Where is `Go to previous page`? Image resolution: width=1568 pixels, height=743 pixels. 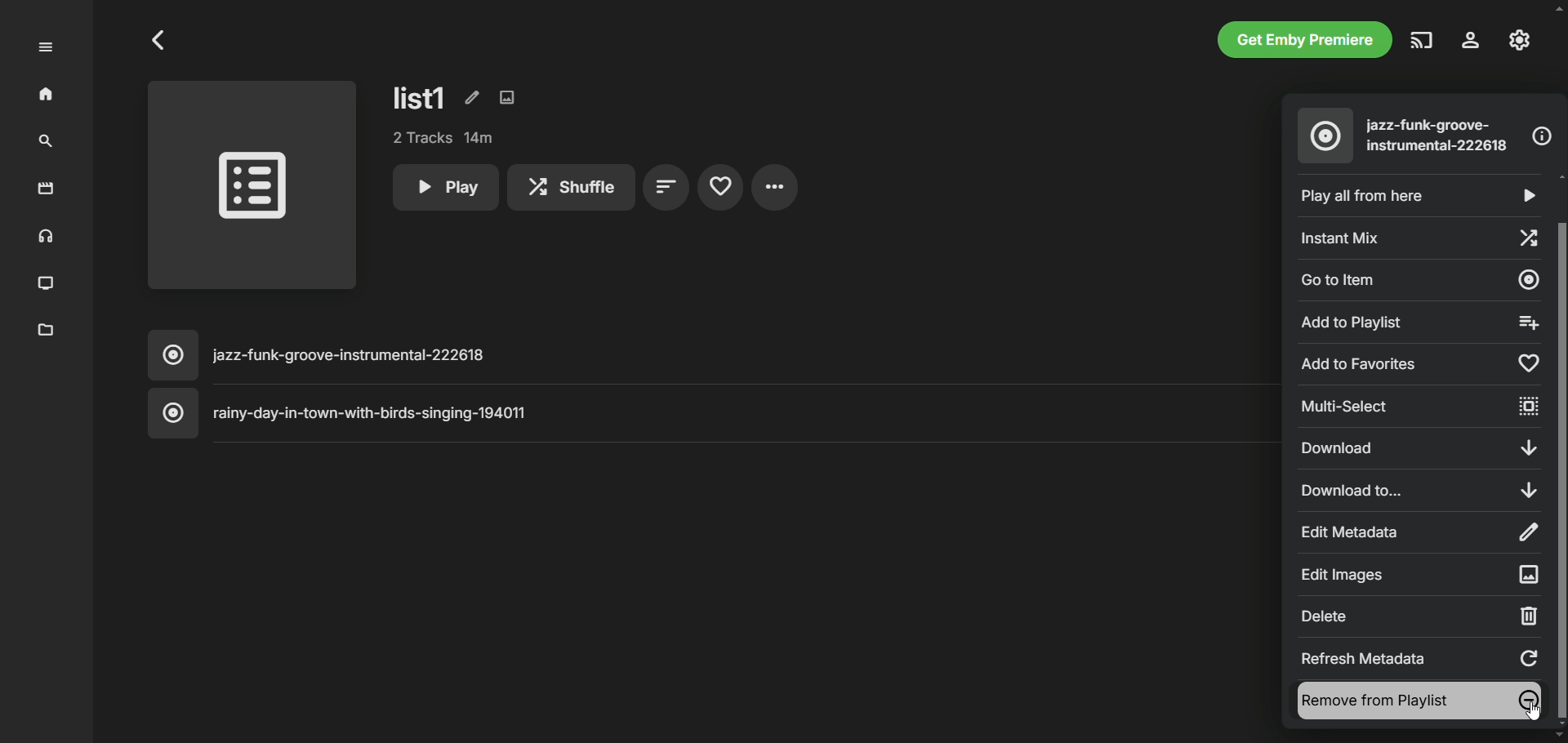 Go to previous page is located at coordinates (160, 40).